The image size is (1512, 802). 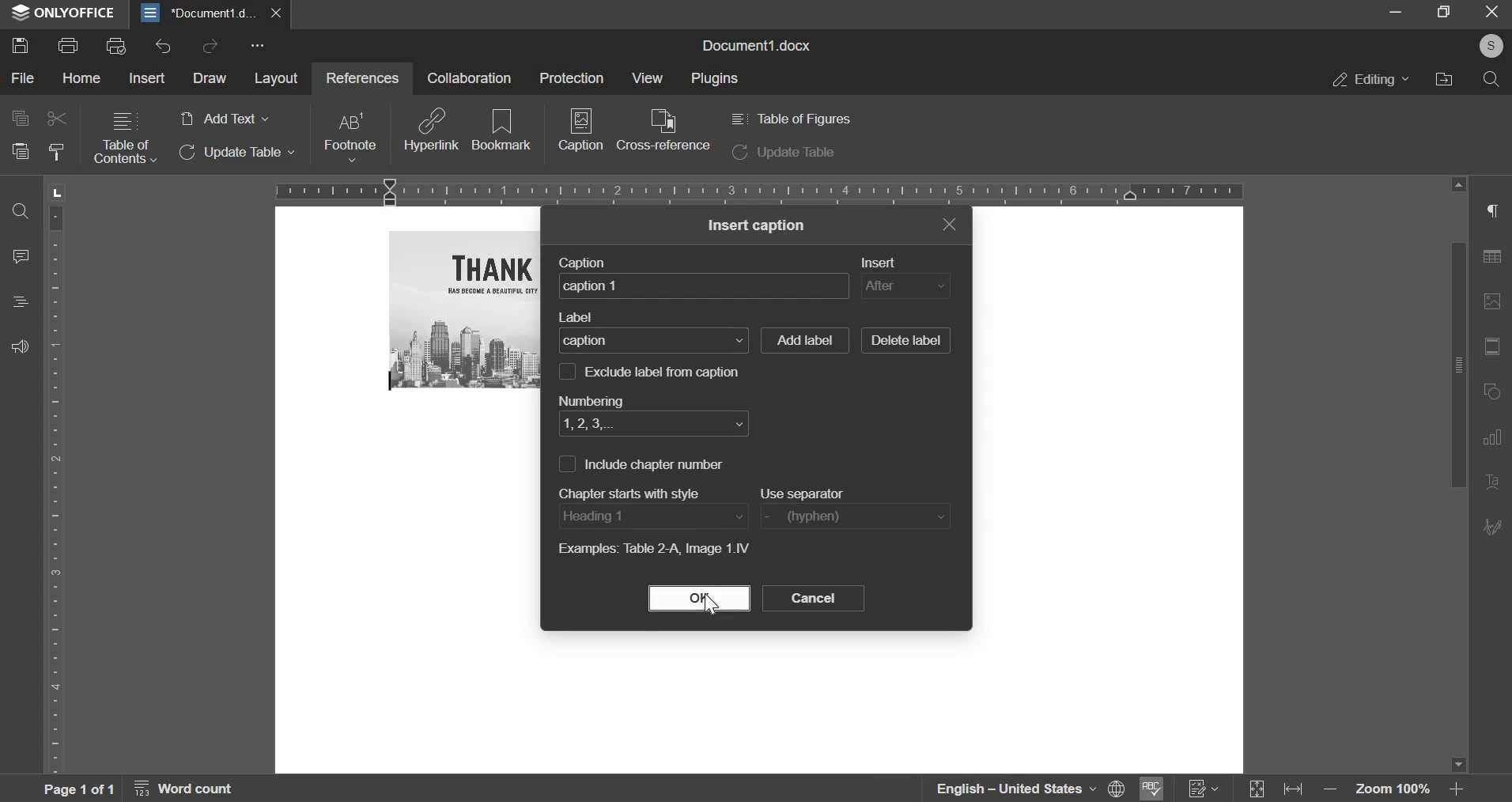 What do you see at coordinates (58, 119) in the screenshot?
I see `cut` at bounding box center [58, 119].